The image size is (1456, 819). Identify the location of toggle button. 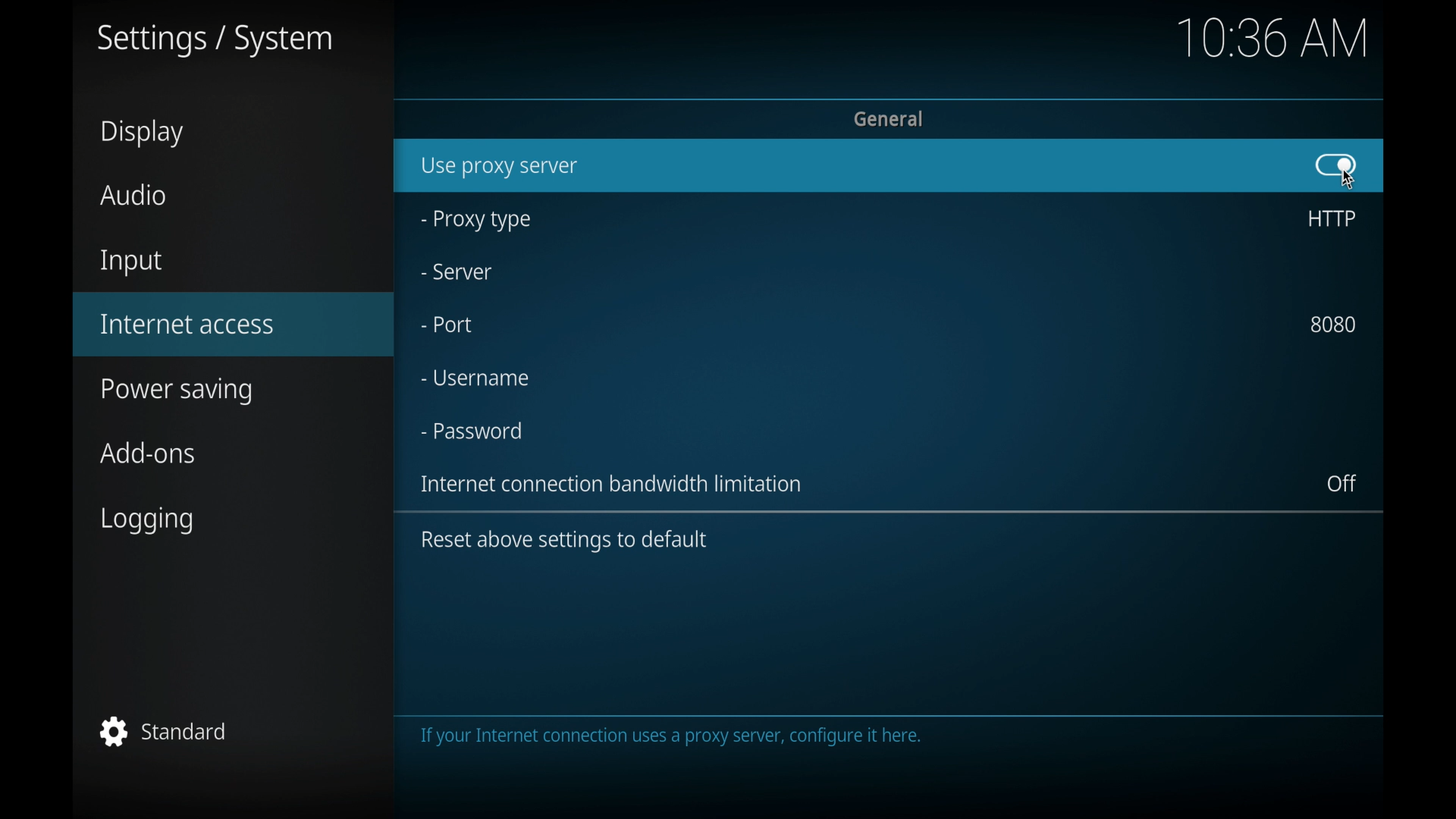
(1336, 165).